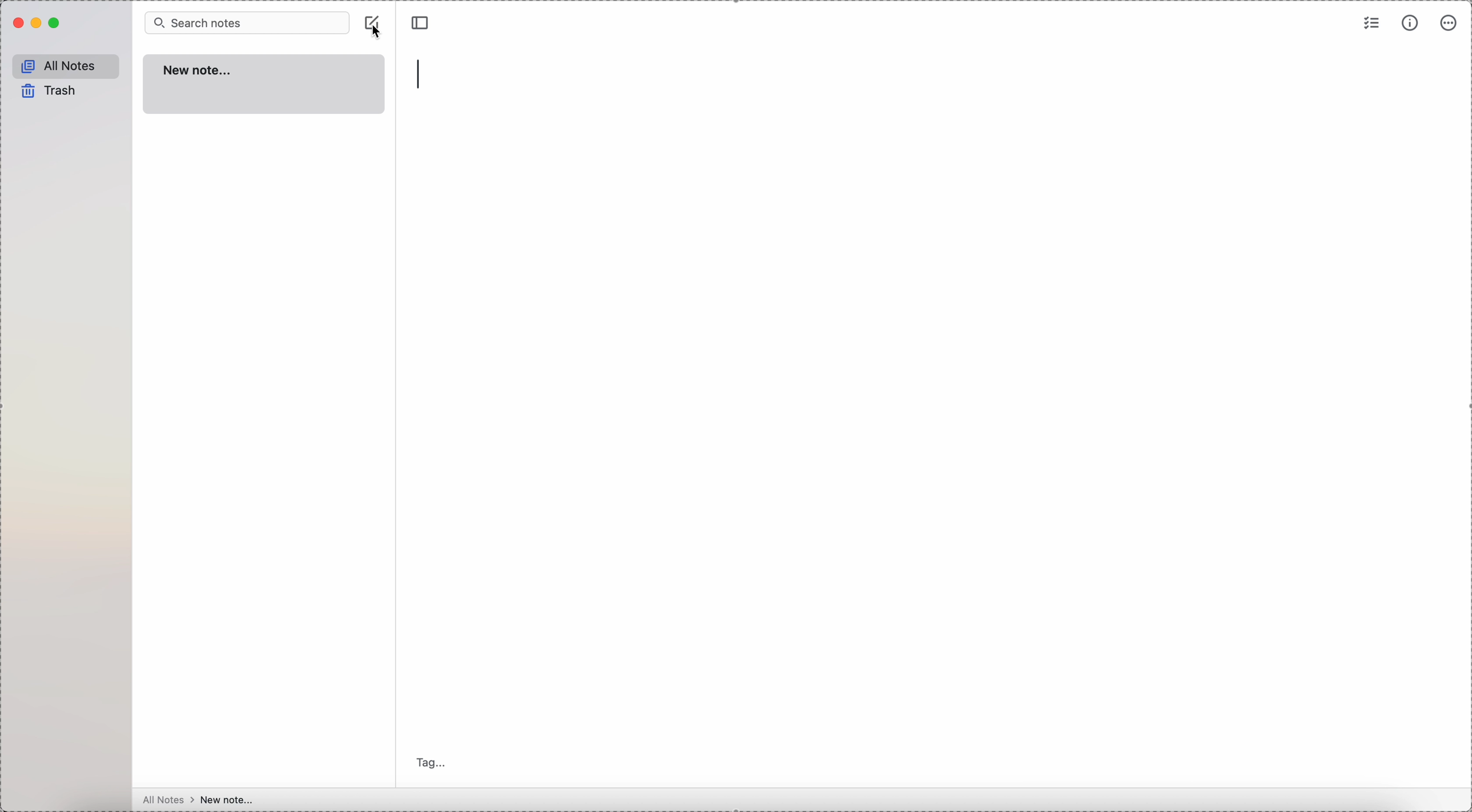 This screenshot has height=812, width=1472. I want to click on type title, so click(450, 75).